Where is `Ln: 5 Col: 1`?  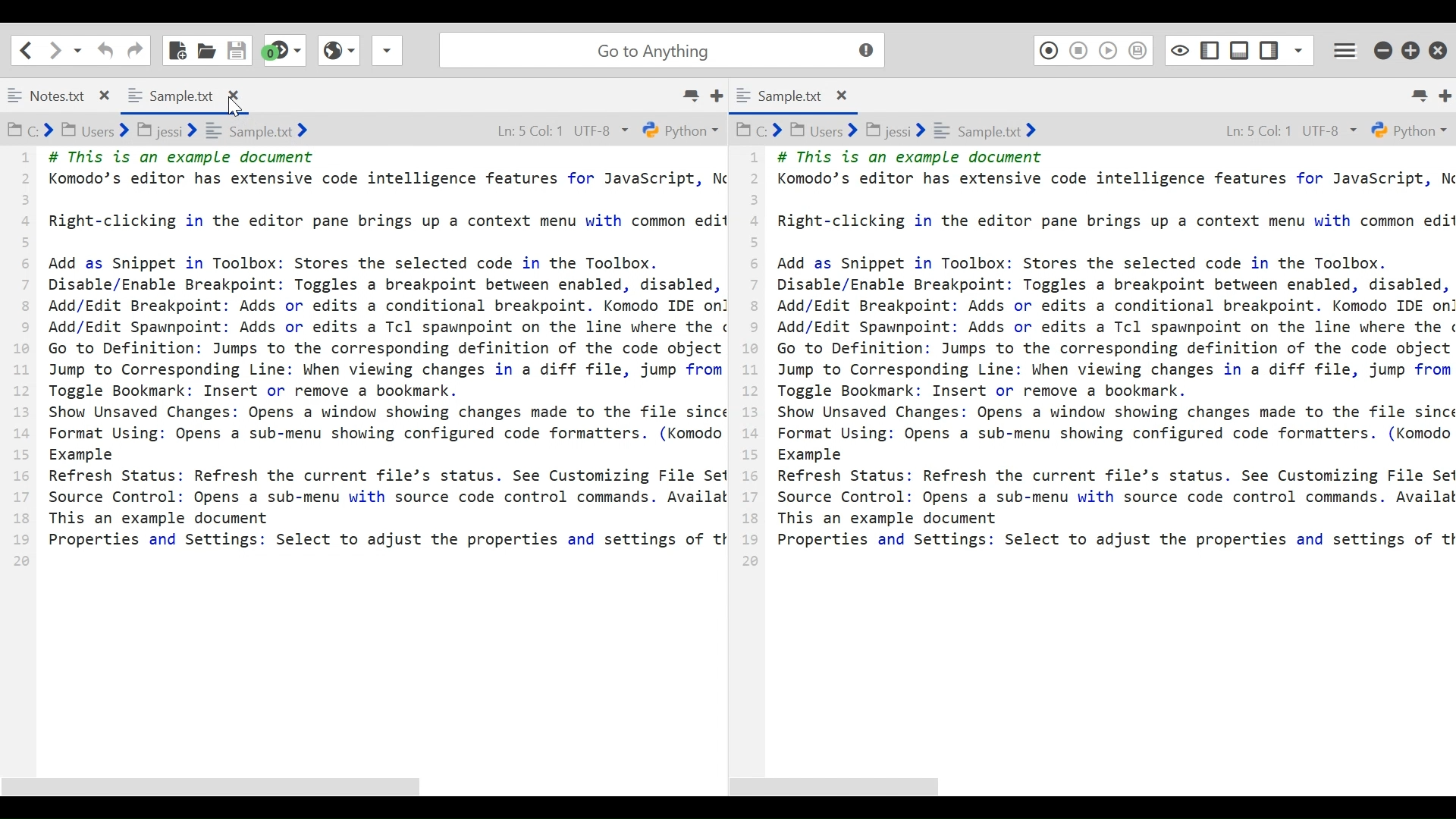
Ln: 5 Col: 1 is located at coordinates (529, 128).